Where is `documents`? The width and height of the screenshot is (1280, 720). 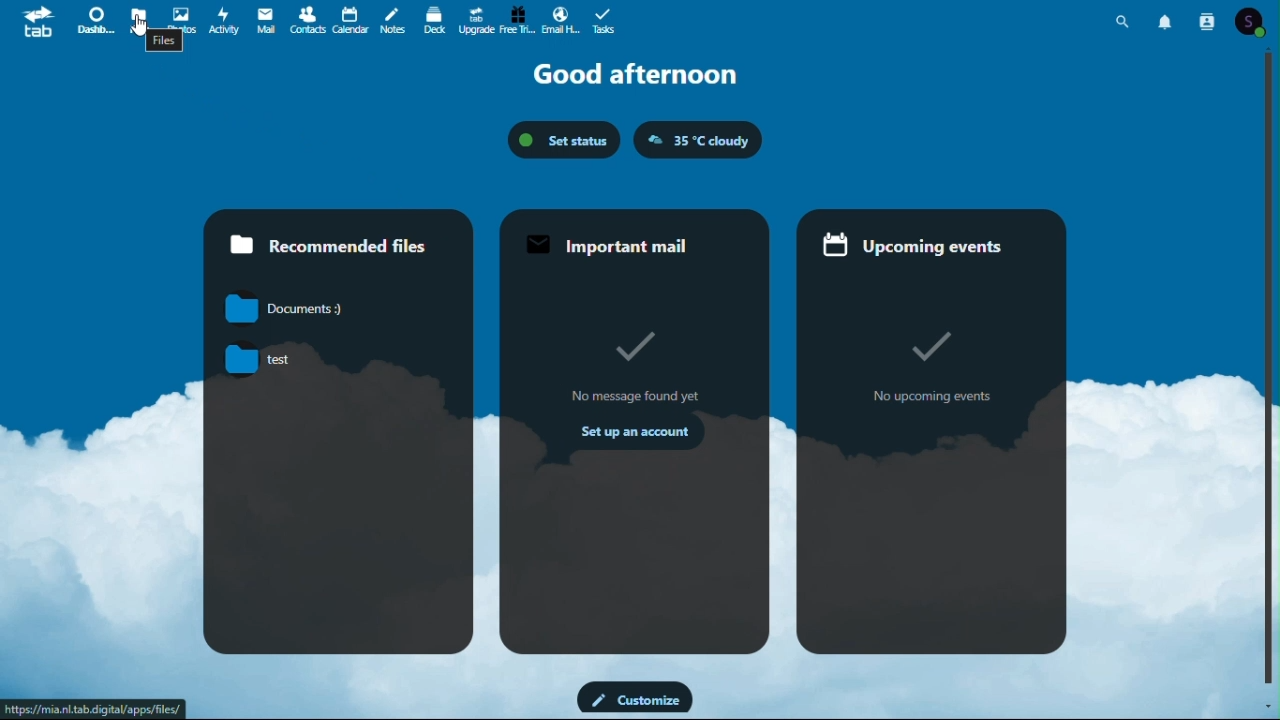 documents is located at coordinates (281, 308).